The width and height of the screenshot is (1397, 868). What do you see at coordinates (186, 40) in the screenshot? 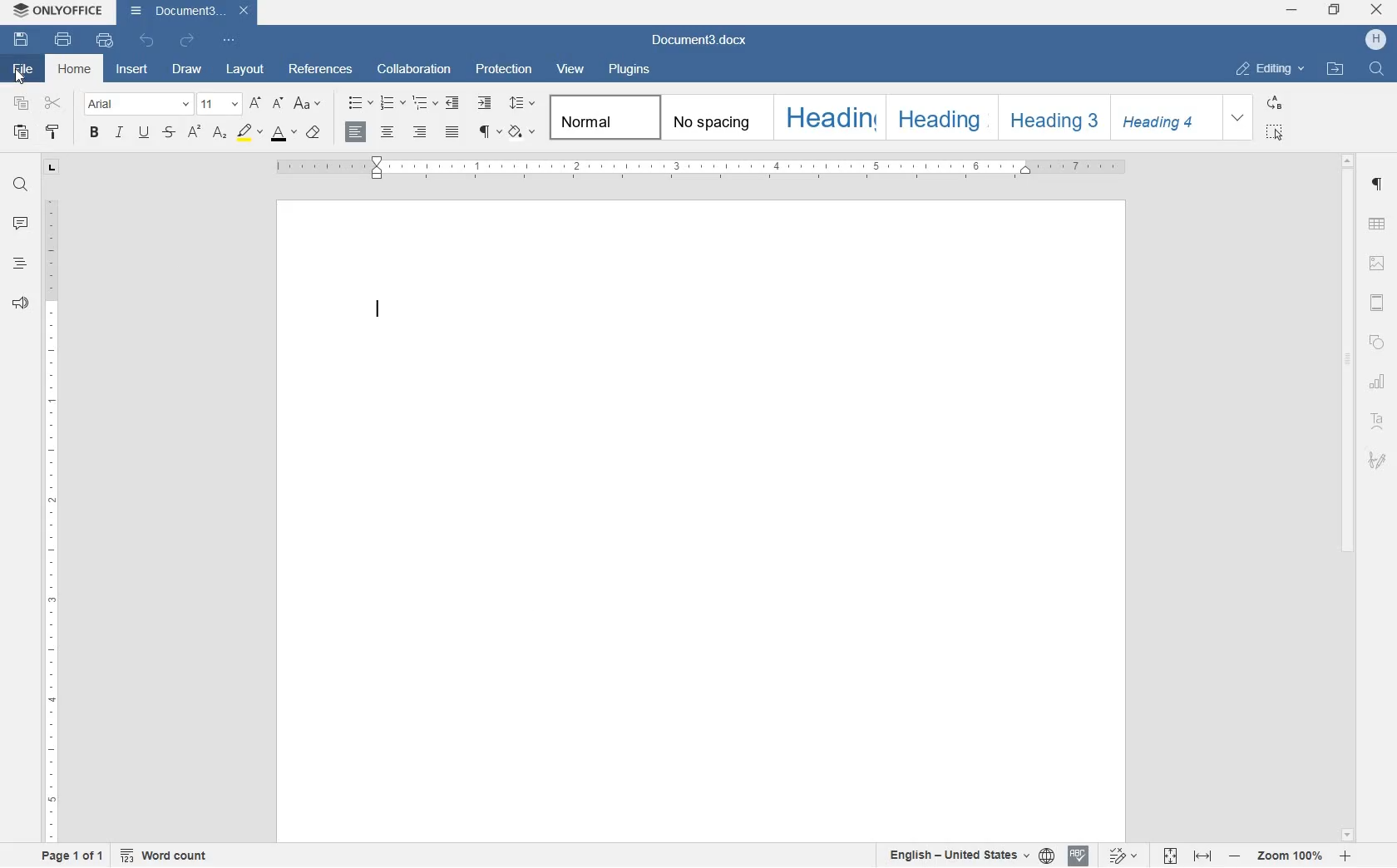
I see `redo` at bounding box center [186, 40].